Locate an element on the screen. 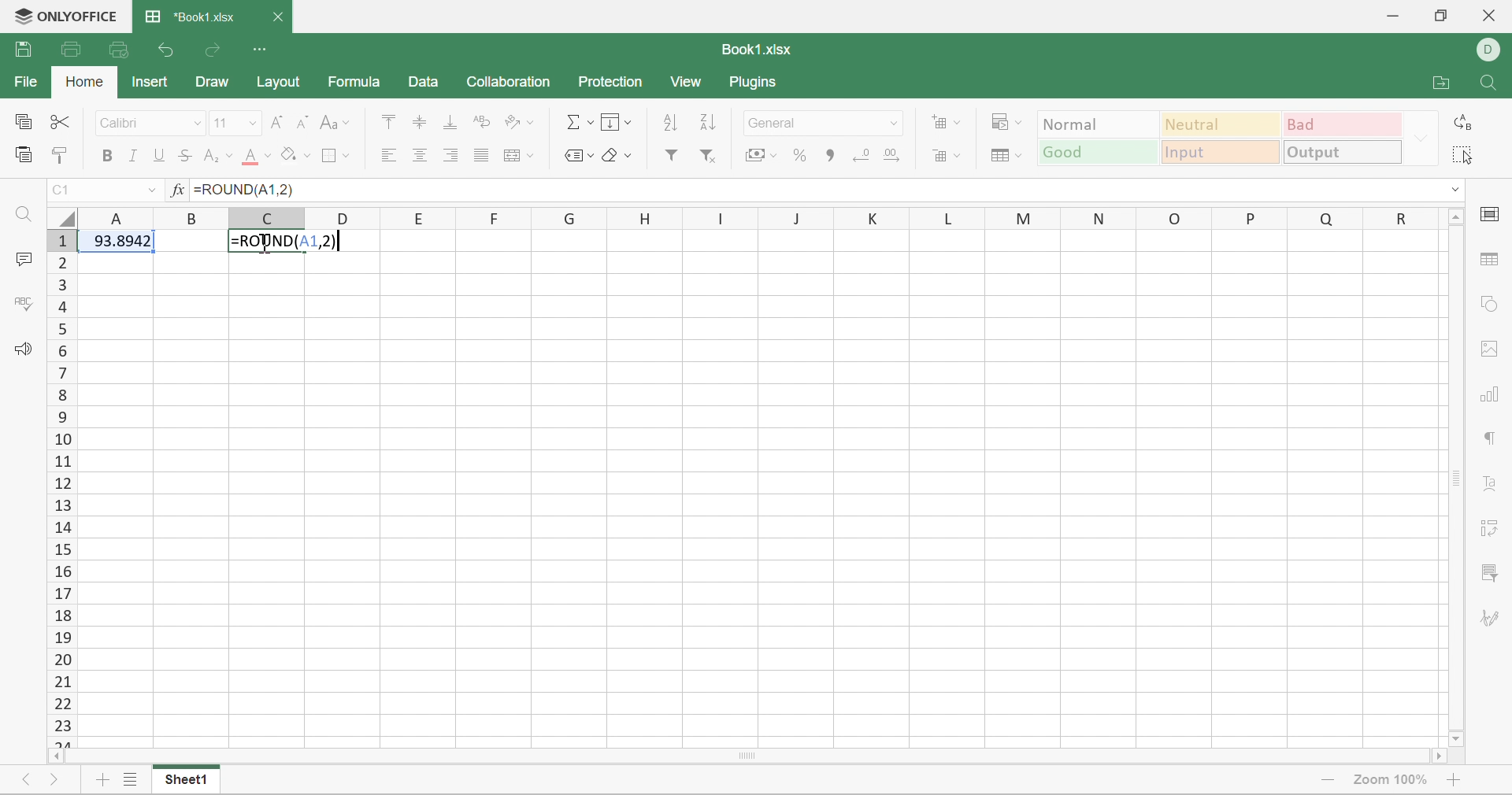 The width and height of the screenshot is (1512, 795). Drop Down is located at coordinates (196, 122).